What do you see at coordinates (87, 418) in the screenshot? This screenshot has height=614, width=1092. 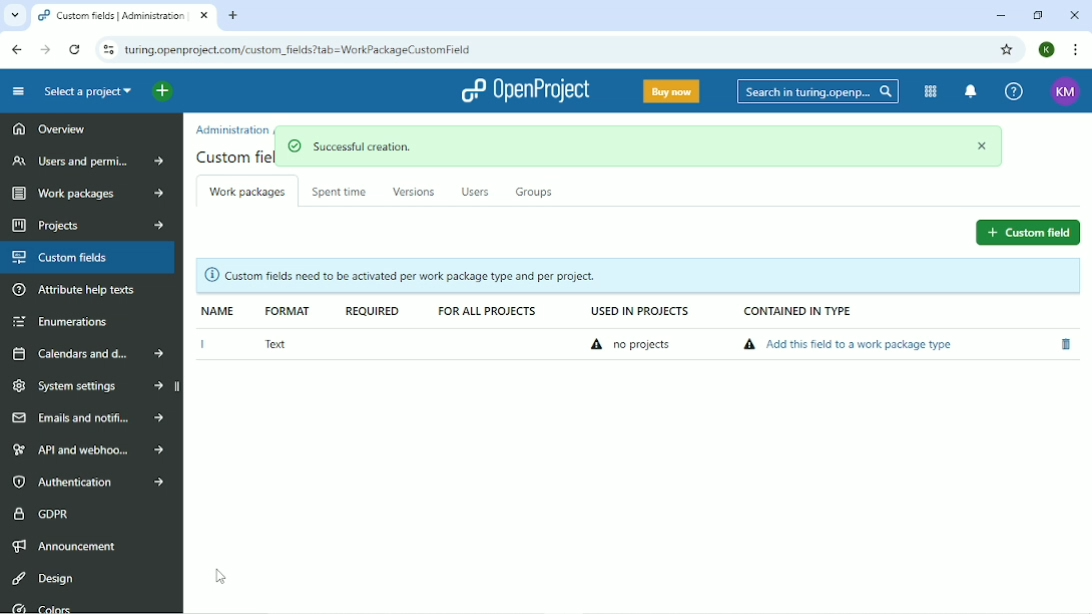 I see `Emails and notifications` at bounding box center [87, 418].